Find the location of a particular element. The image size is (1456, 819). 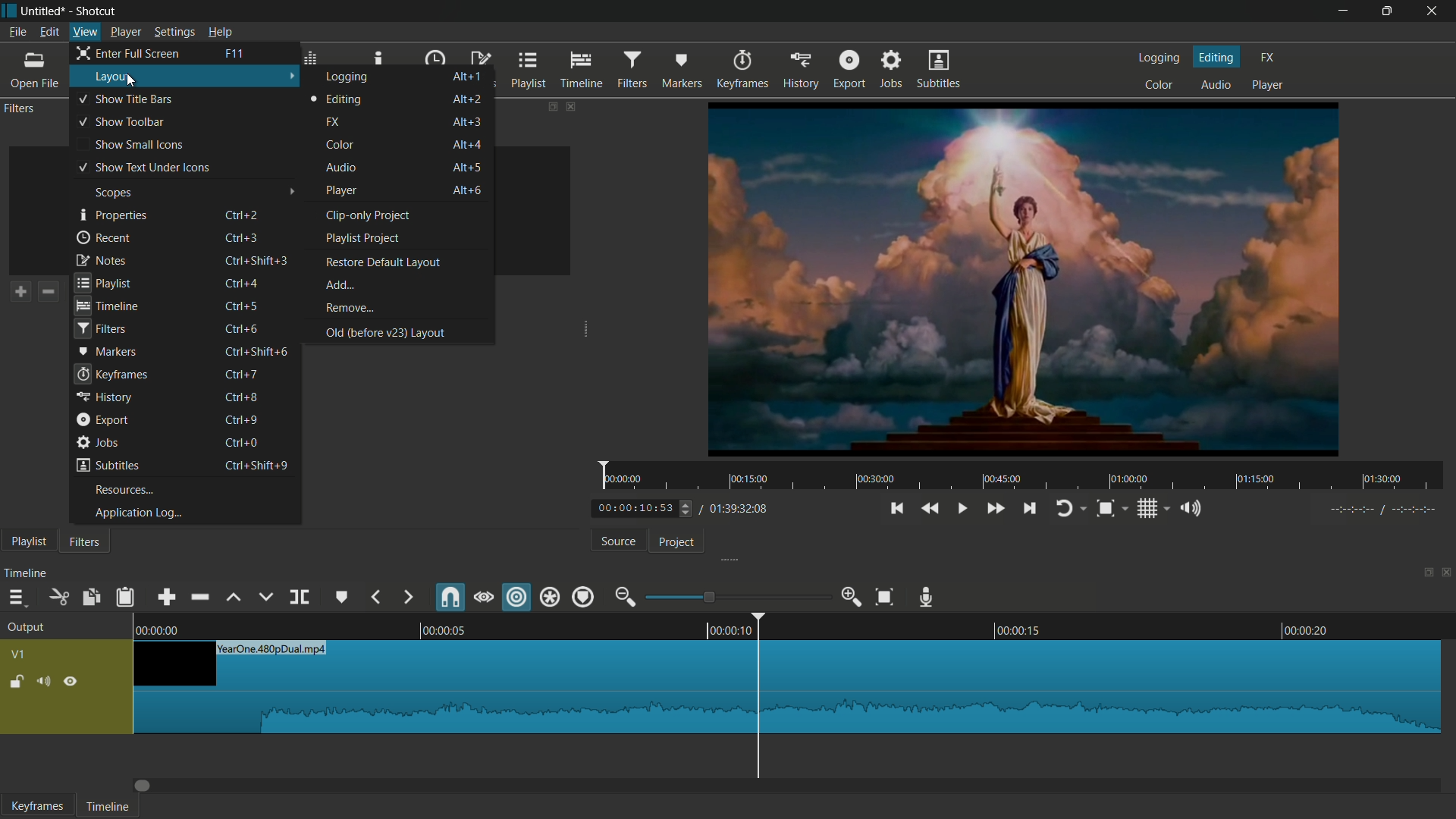

create or edit marker is located at coordinates (343, 598).